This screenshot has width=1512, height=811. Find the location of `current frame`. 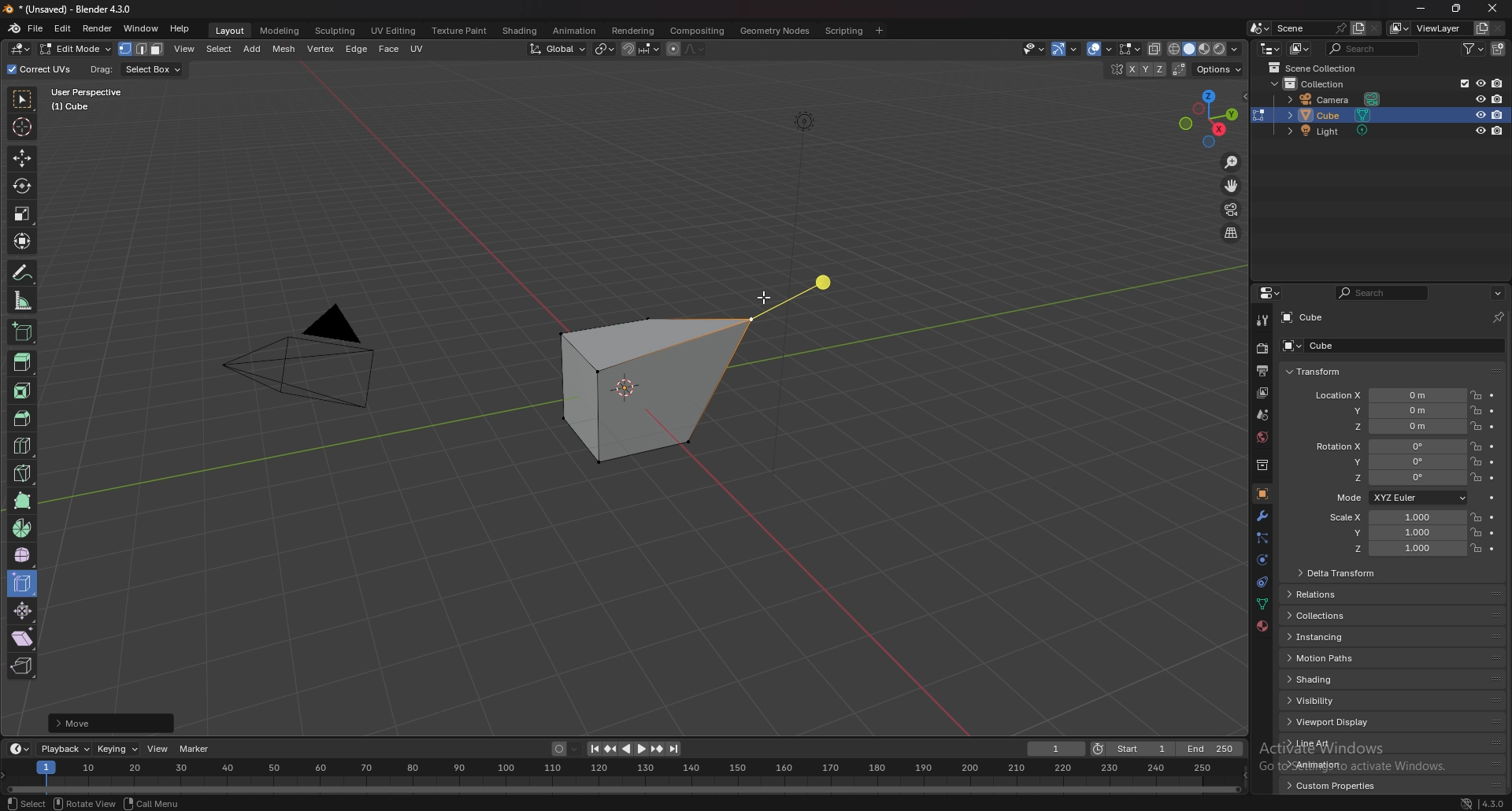

current frame is located at coordinates (1055, 749).